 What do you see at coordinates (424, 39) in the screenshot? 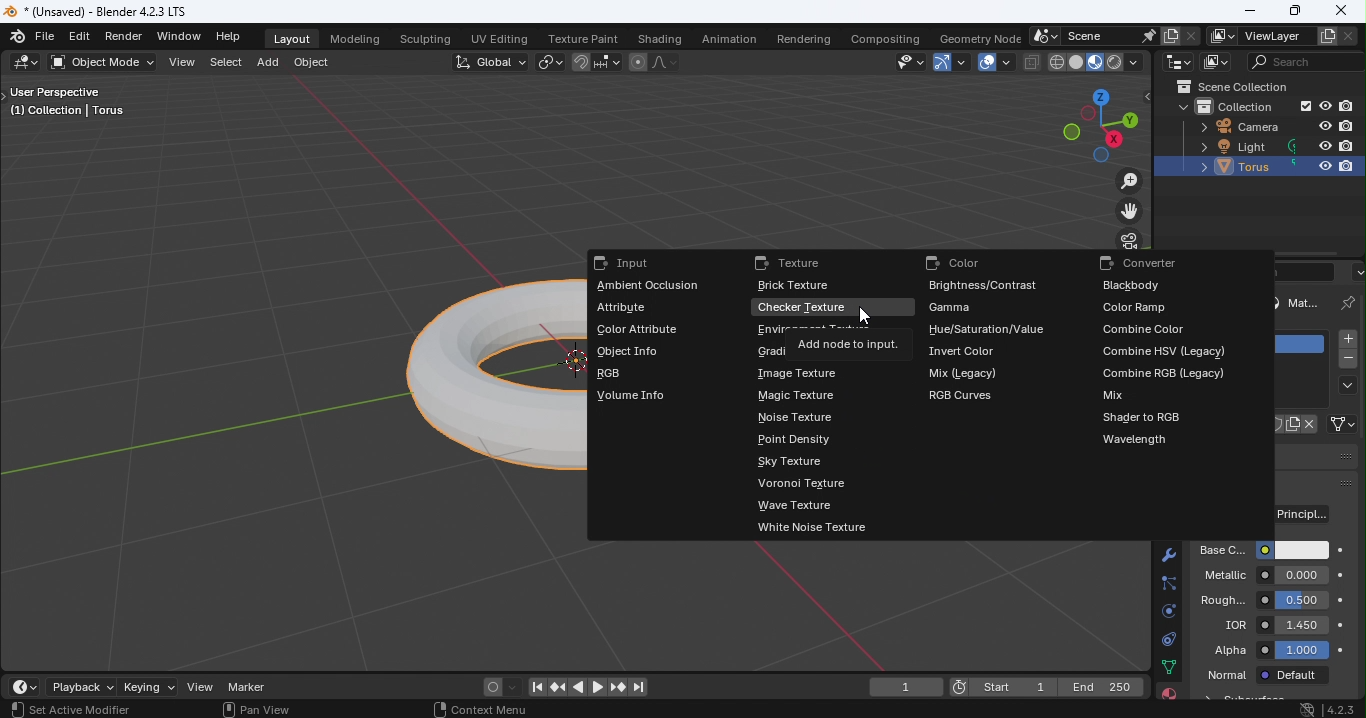
I see `Sculpting` at bounding box center [424, 39].